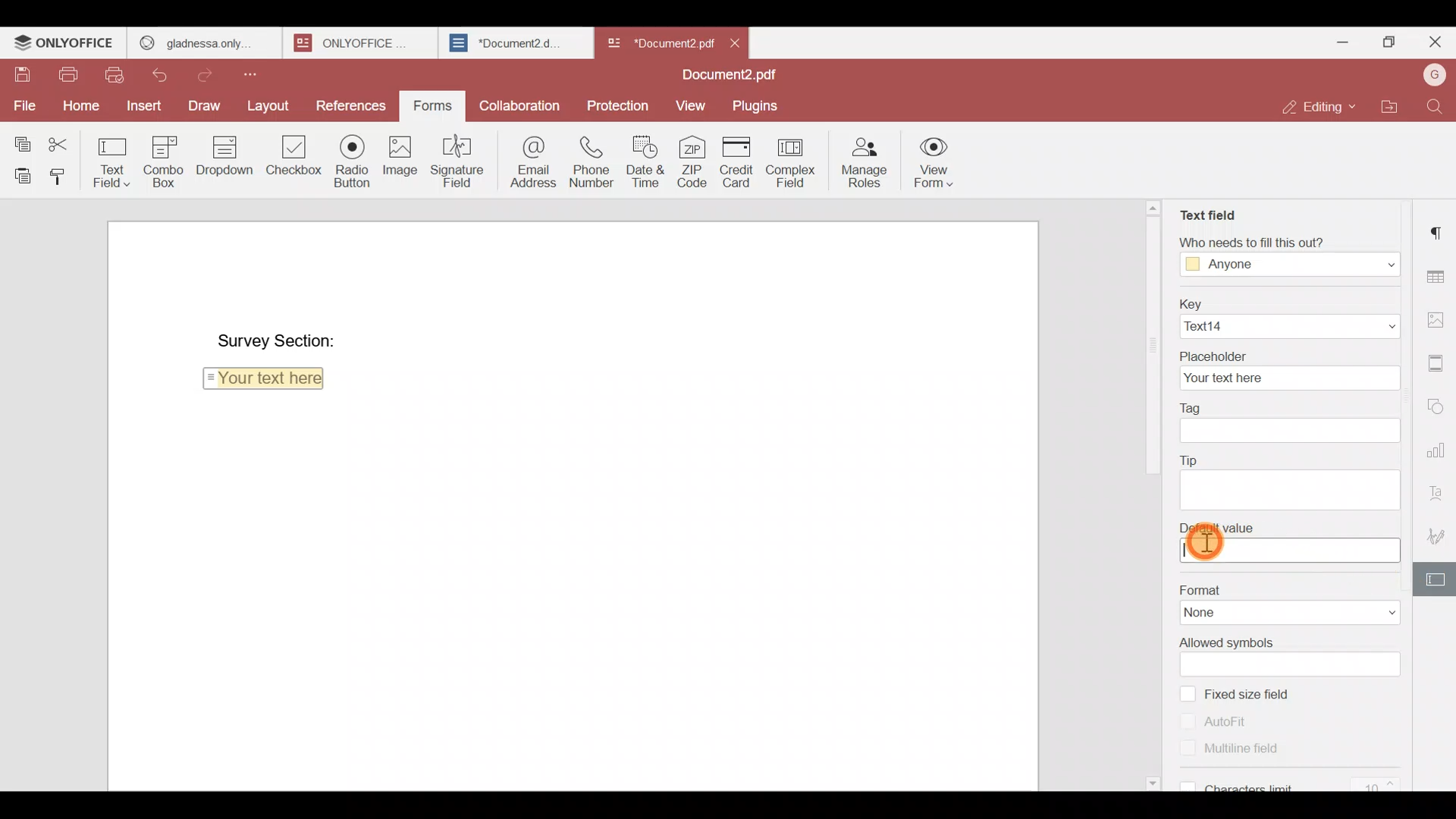 The width and height of the screenshot is (1456, 819). What do you see at coordinates (736, 42) in the screenshot?
I see `Close` at bounding box center [736, 42].